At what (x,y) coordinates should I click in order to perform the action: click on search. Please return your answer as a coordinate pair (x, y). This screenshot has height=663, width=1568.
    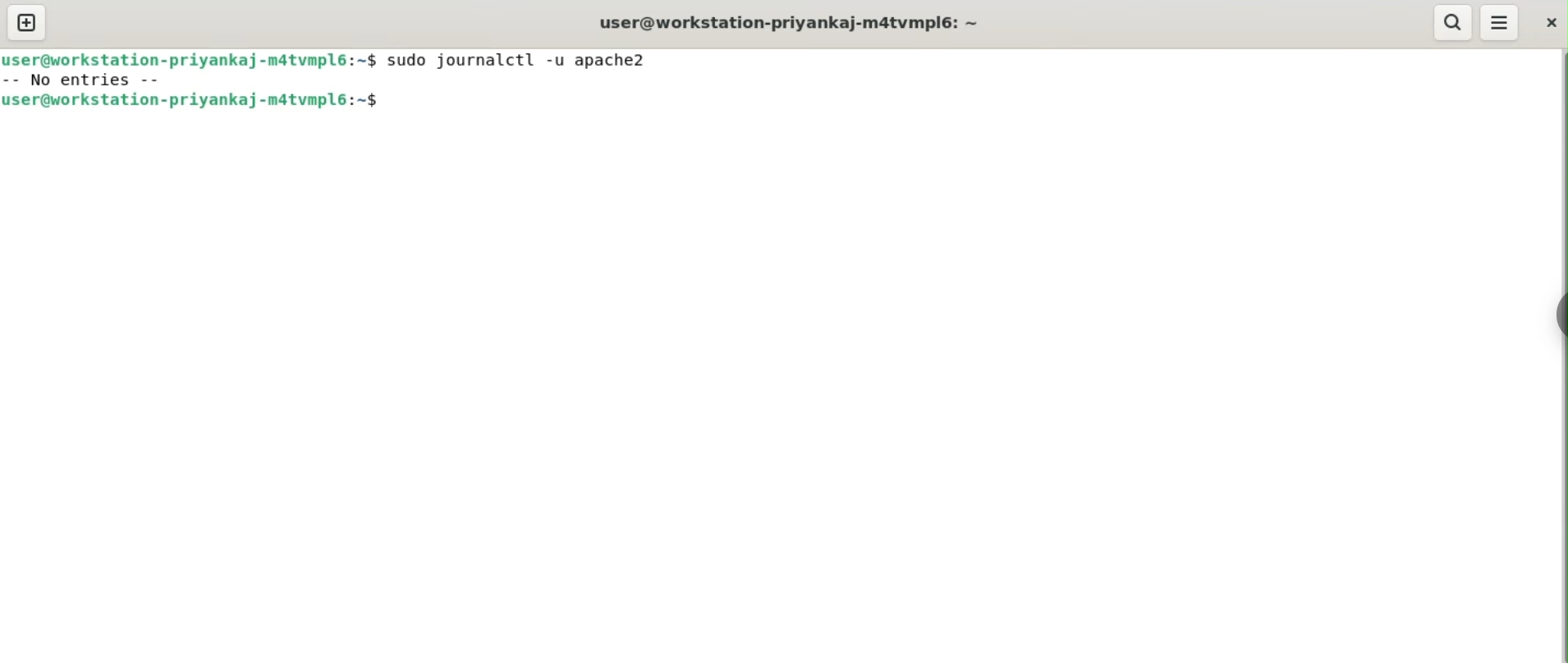
    Looking at the image, I should click on (1453, 22).